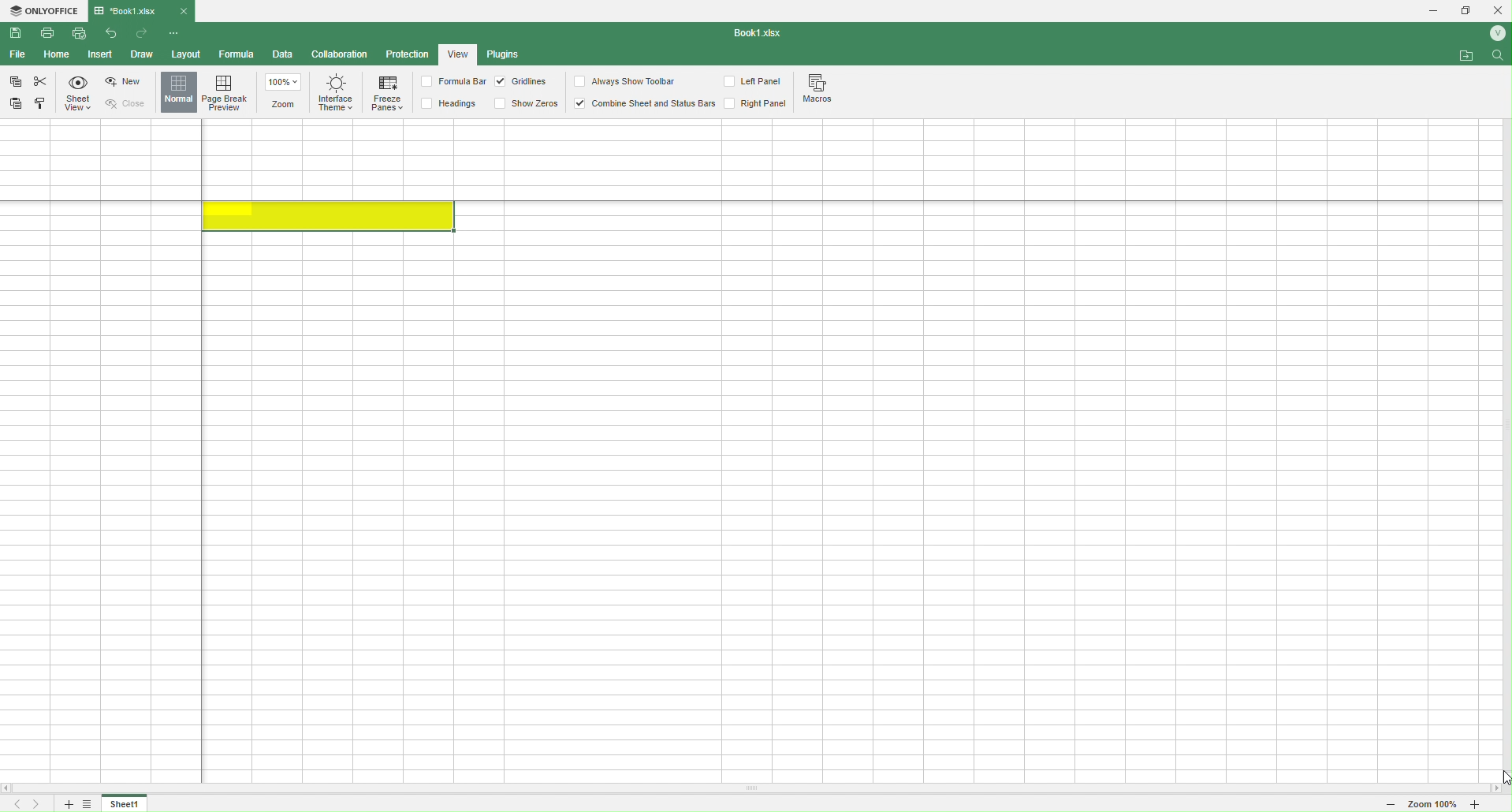 The height and width of the screenshot is (812, 1512). I want to click on Zoom 100%, so click(1432, 806).